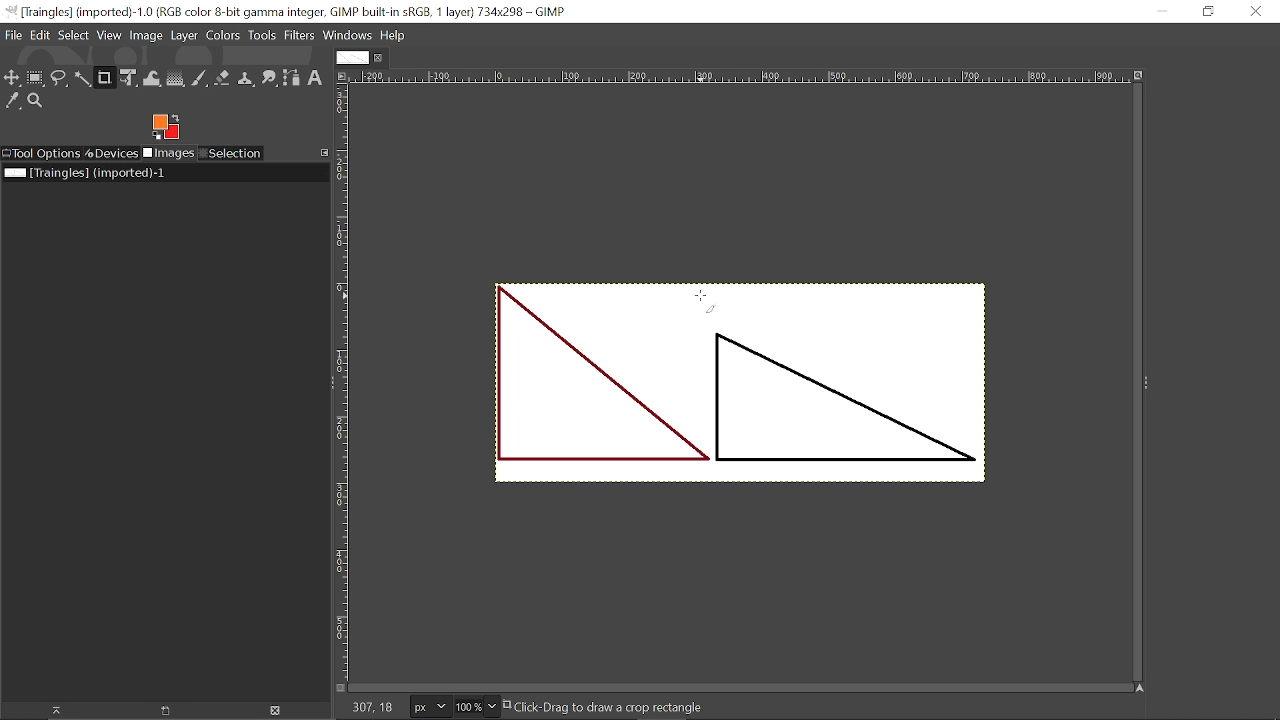 This screenshot has width=1280, height=720. What do you see at coordinates (299, 36) in the screenshot?
I see `Filters` at bounding box center [299, 36].